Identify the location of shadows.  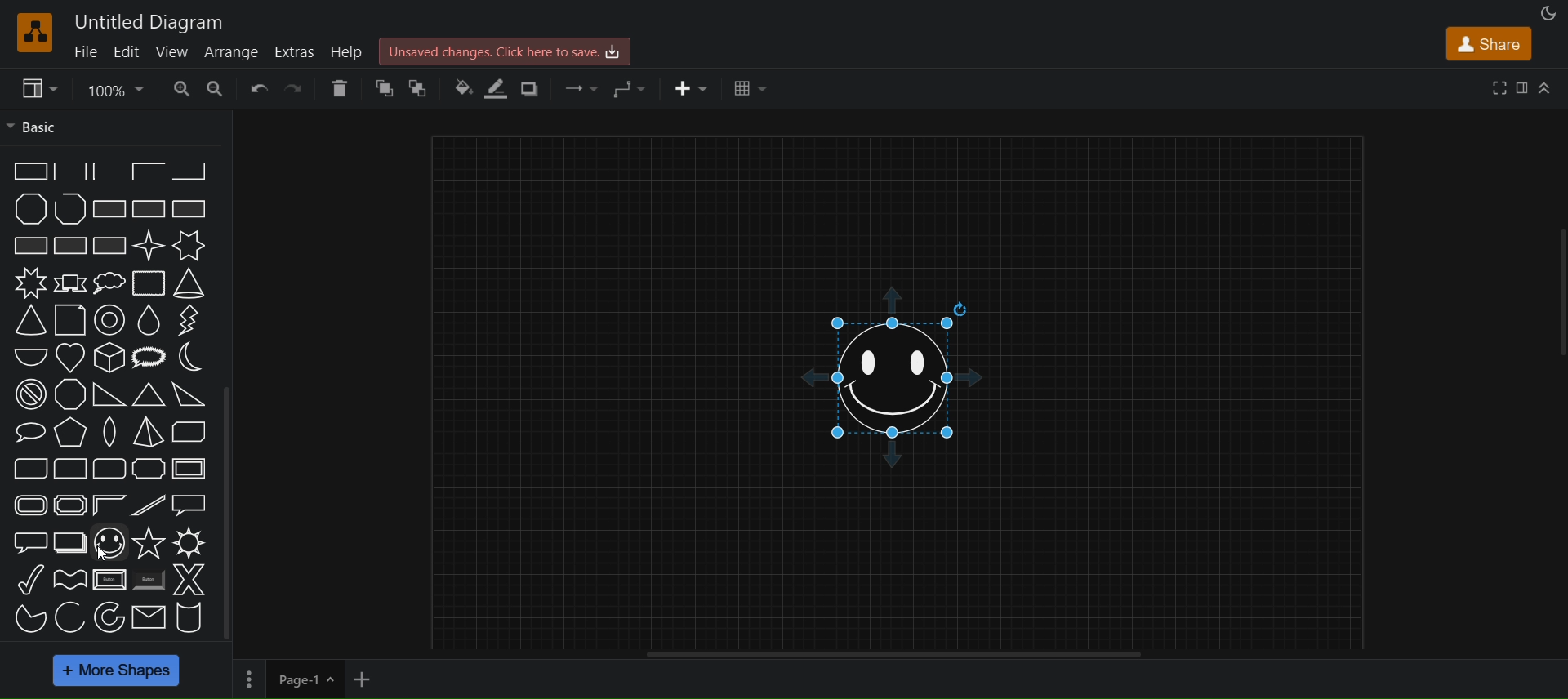
(534, 88).